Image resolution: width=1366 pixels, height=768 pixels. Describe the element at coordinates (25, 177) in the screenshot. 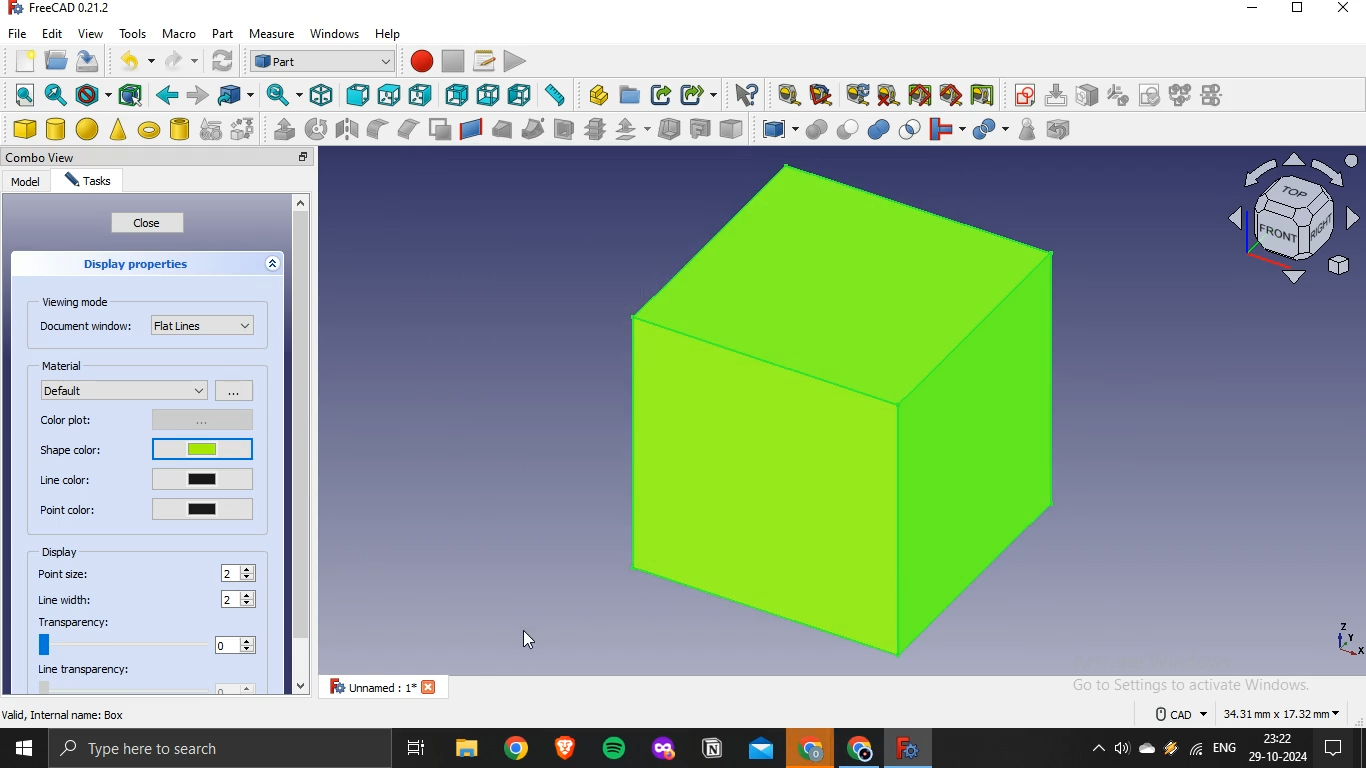

I see `model` at that location.